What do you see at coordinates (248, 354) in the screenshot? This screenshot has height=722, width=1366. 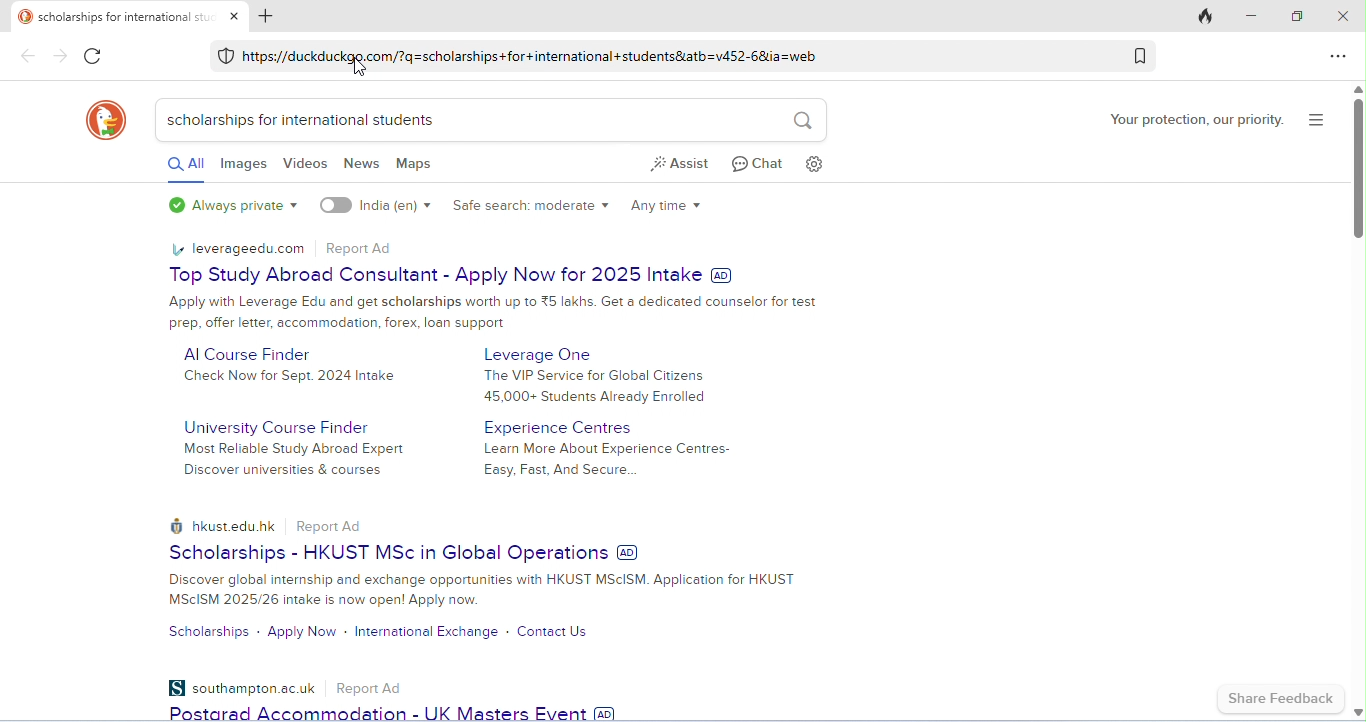 I see `AI course Finder` at bounding box center [248, 354].